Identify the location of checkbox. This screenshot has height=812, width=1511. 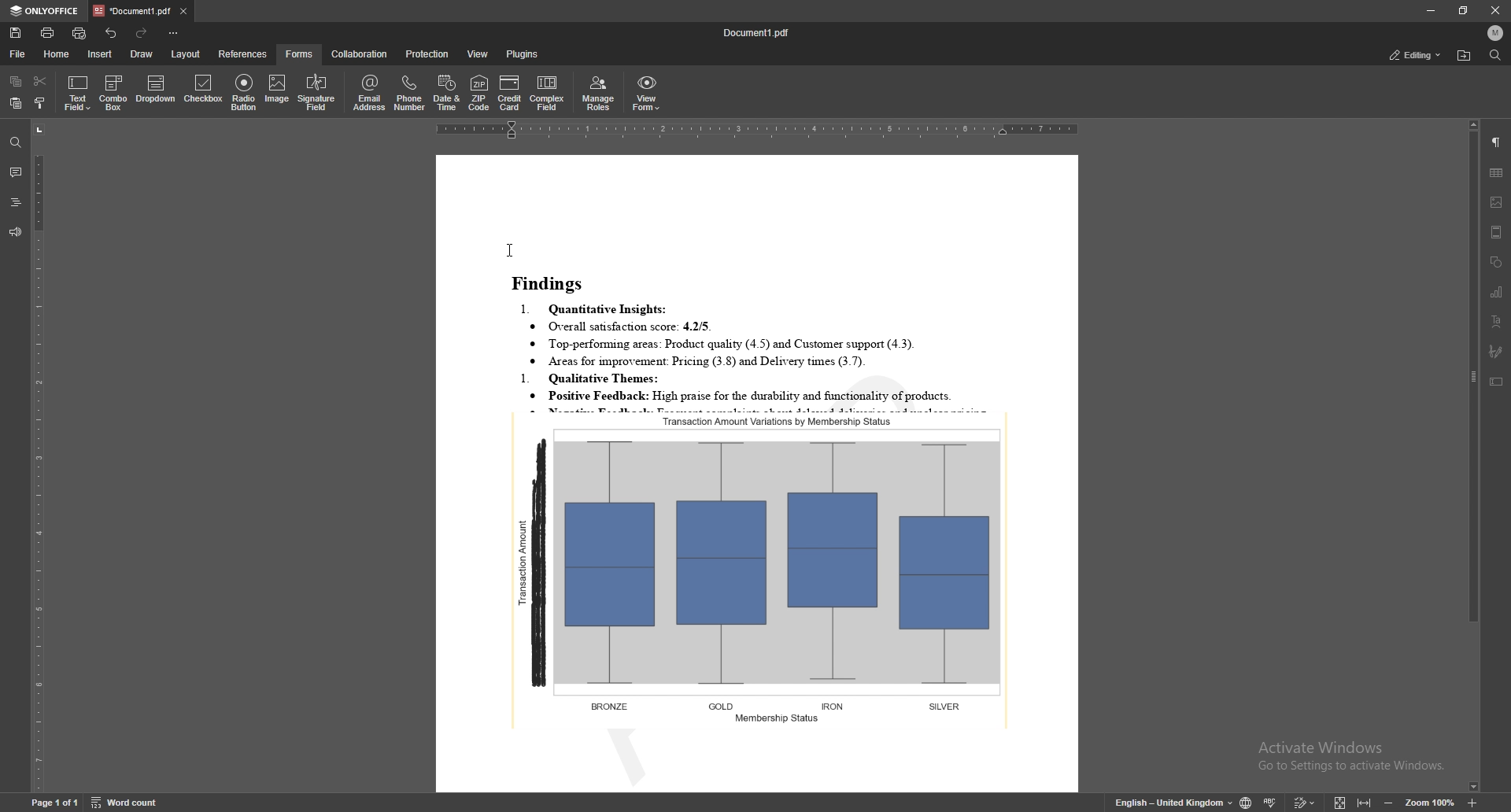
(202, 91).